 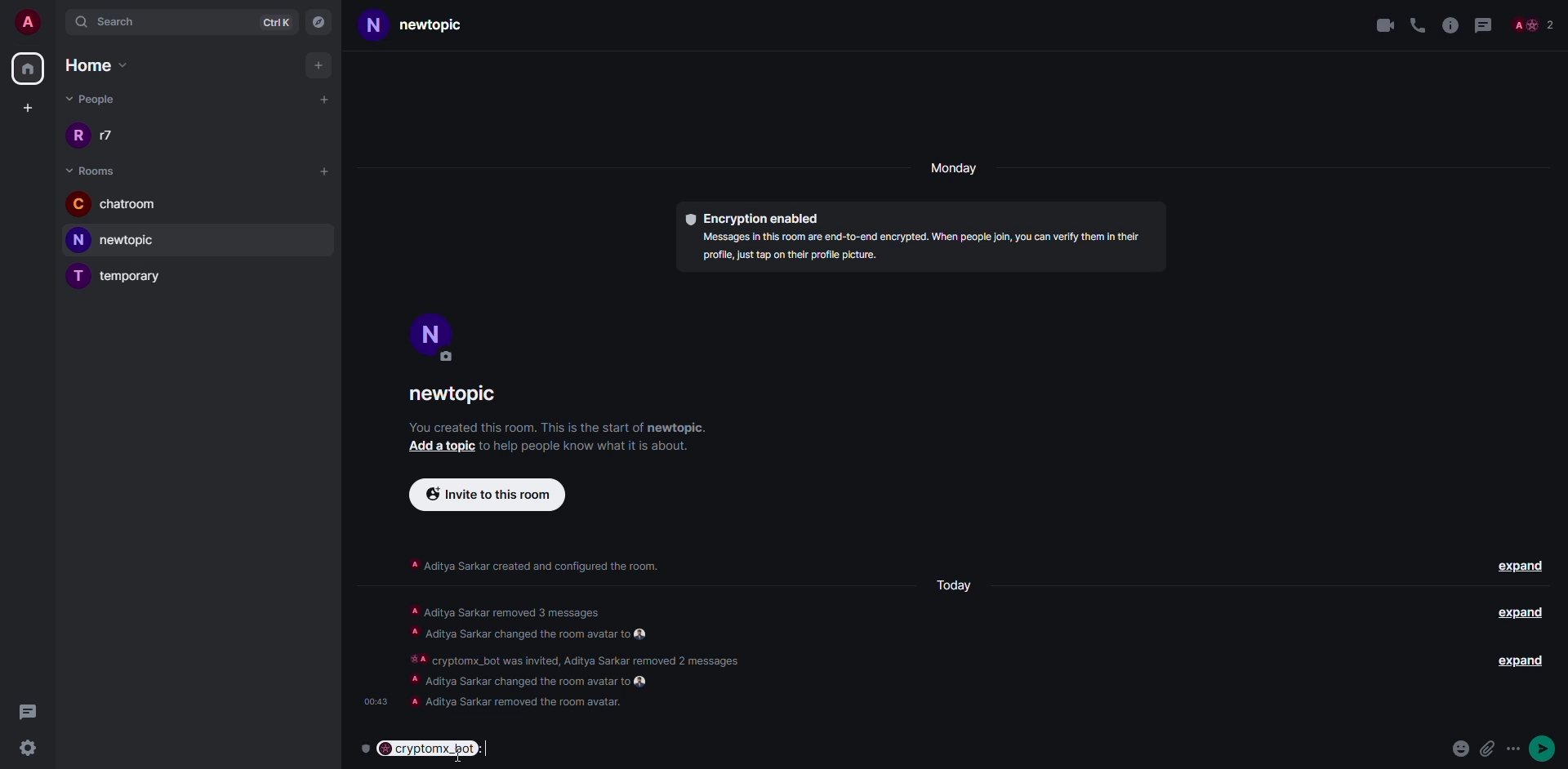 I want to click on newtopic, so click(x=121, y=240).